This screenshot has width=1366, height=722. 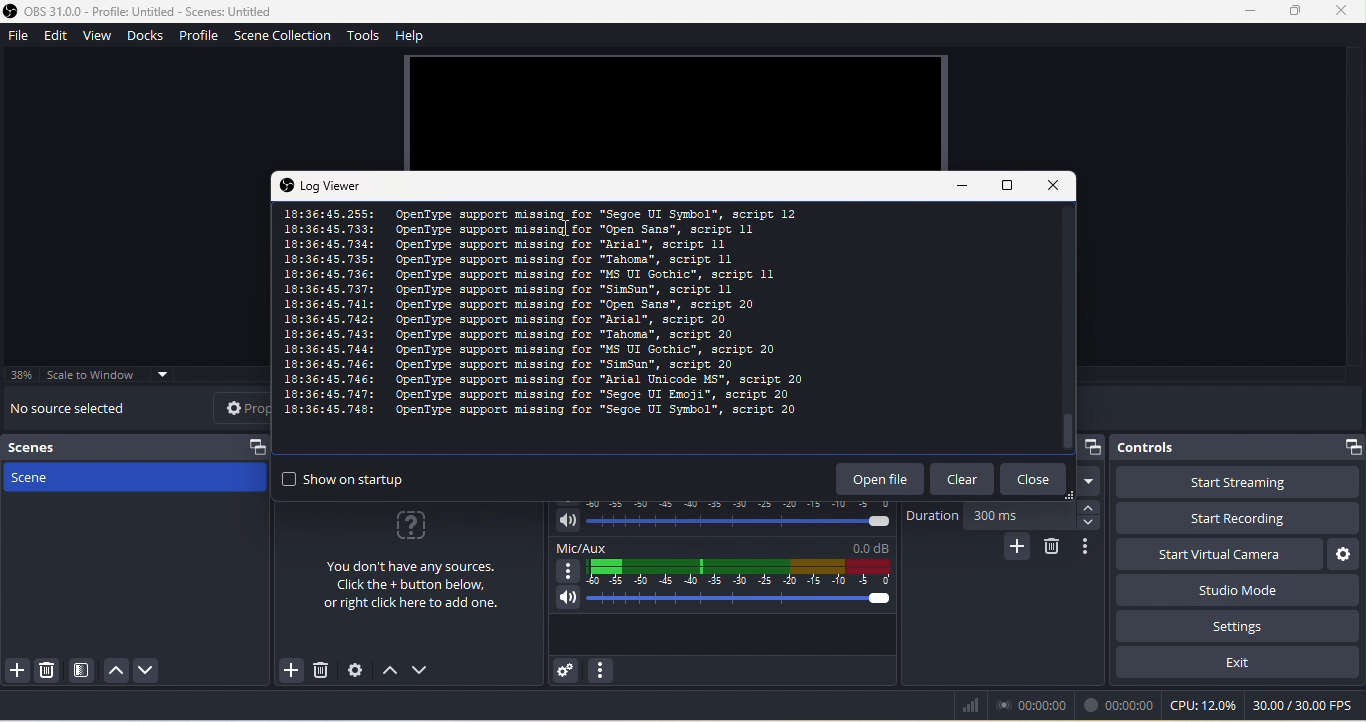 What do you see at coordinates (602, 671) in the screenshot?
I see `audio mixer menu` at bounding box center [602, 671].